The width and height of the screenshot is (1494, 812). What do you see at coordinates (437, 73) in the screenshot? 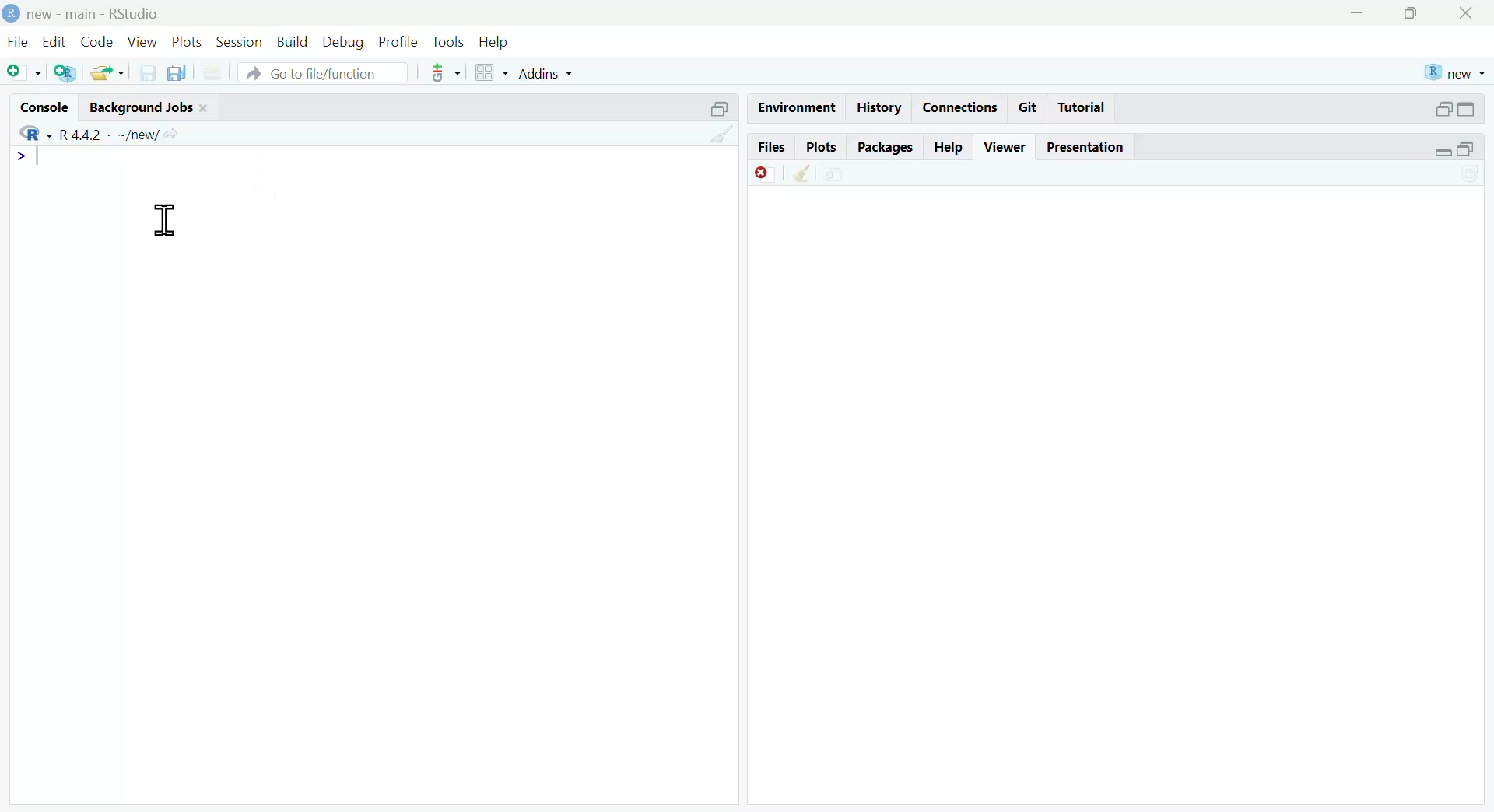
I see `version control` at bounding box center [437, 73].